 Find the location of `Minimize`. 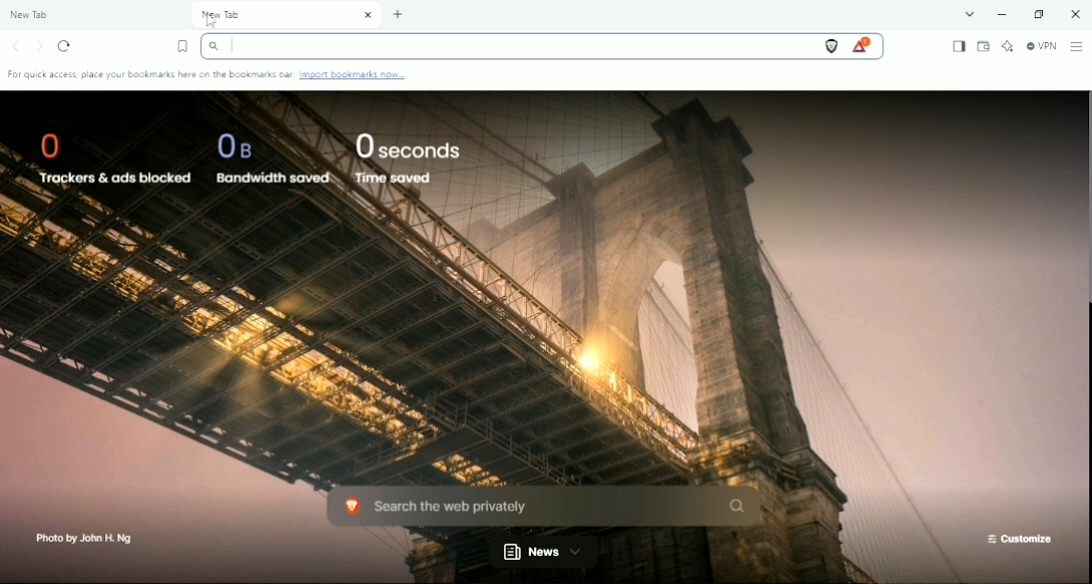

Minimize is located at coordinates (1001, 14).